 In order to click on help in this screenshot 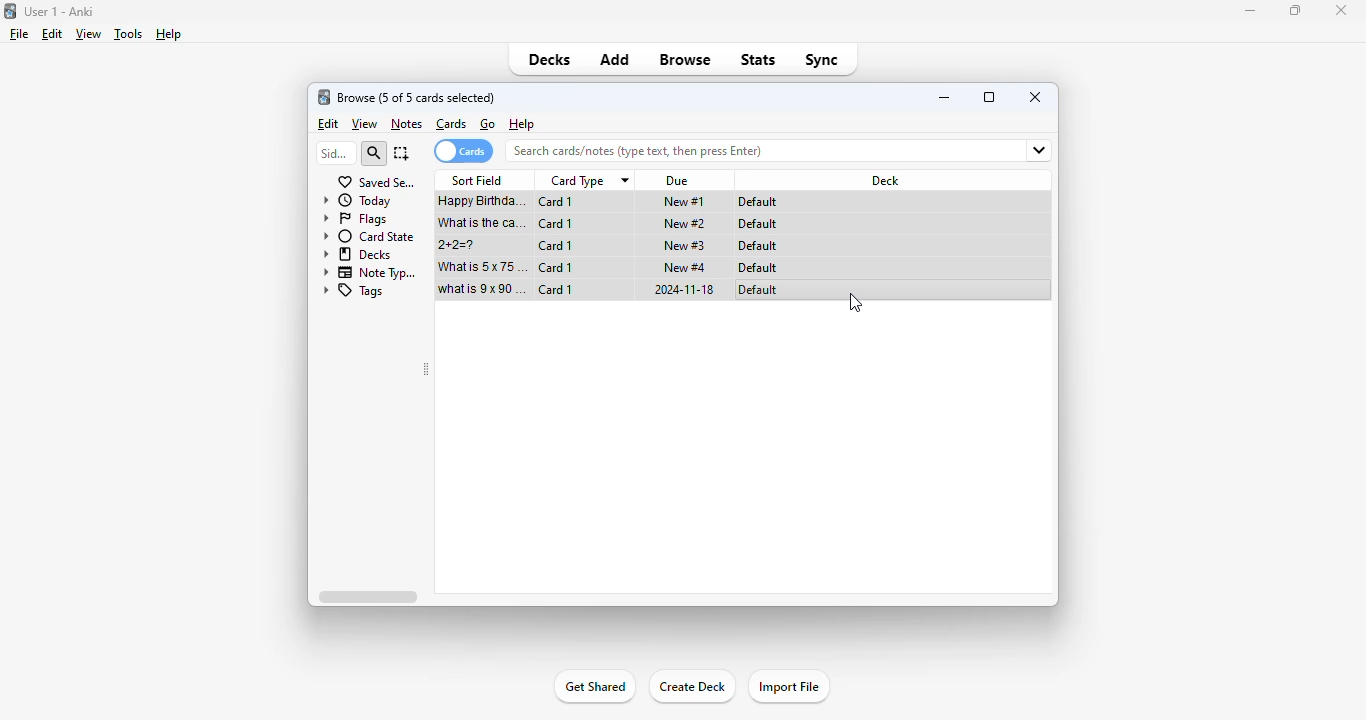, I will do `click(522, 123)`.